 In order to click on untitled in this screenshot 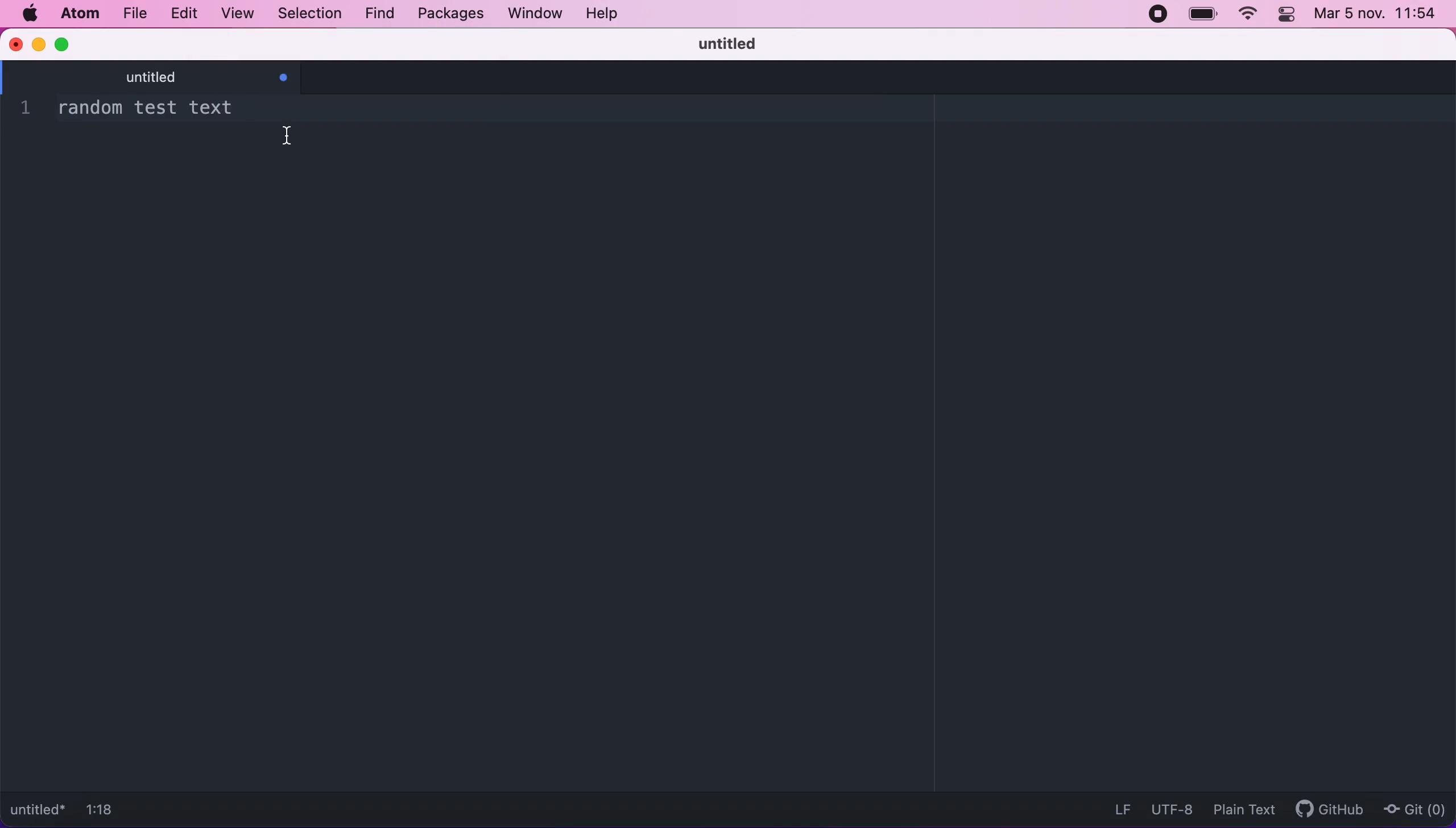, I will do `click(200, 78)`.